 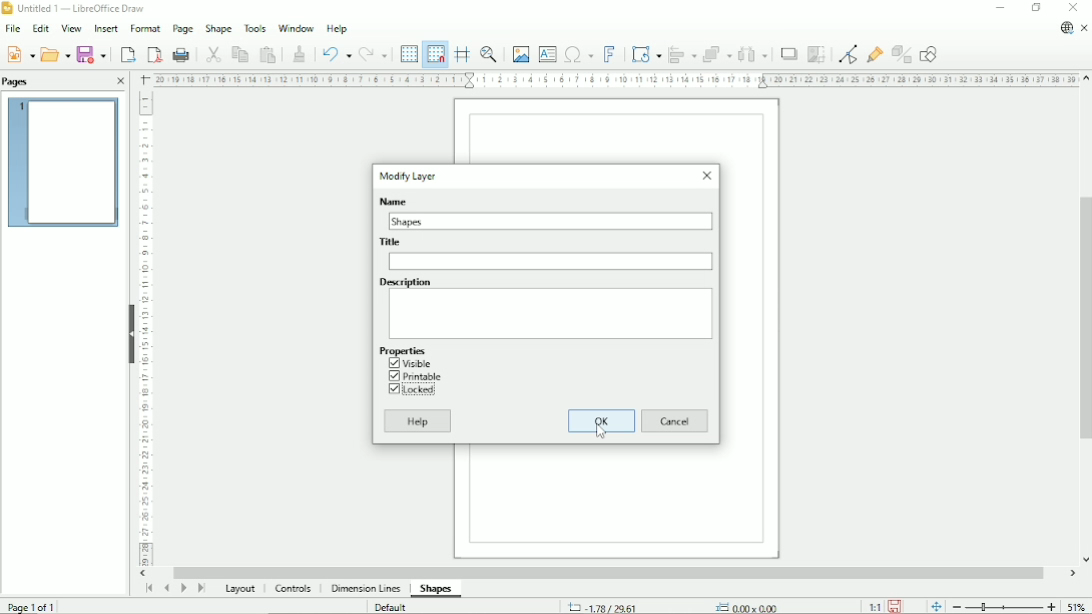 What do you see at coordinates (682, 53) in the screenshot?
I see `Align objects` at bounding box center [682, 53].